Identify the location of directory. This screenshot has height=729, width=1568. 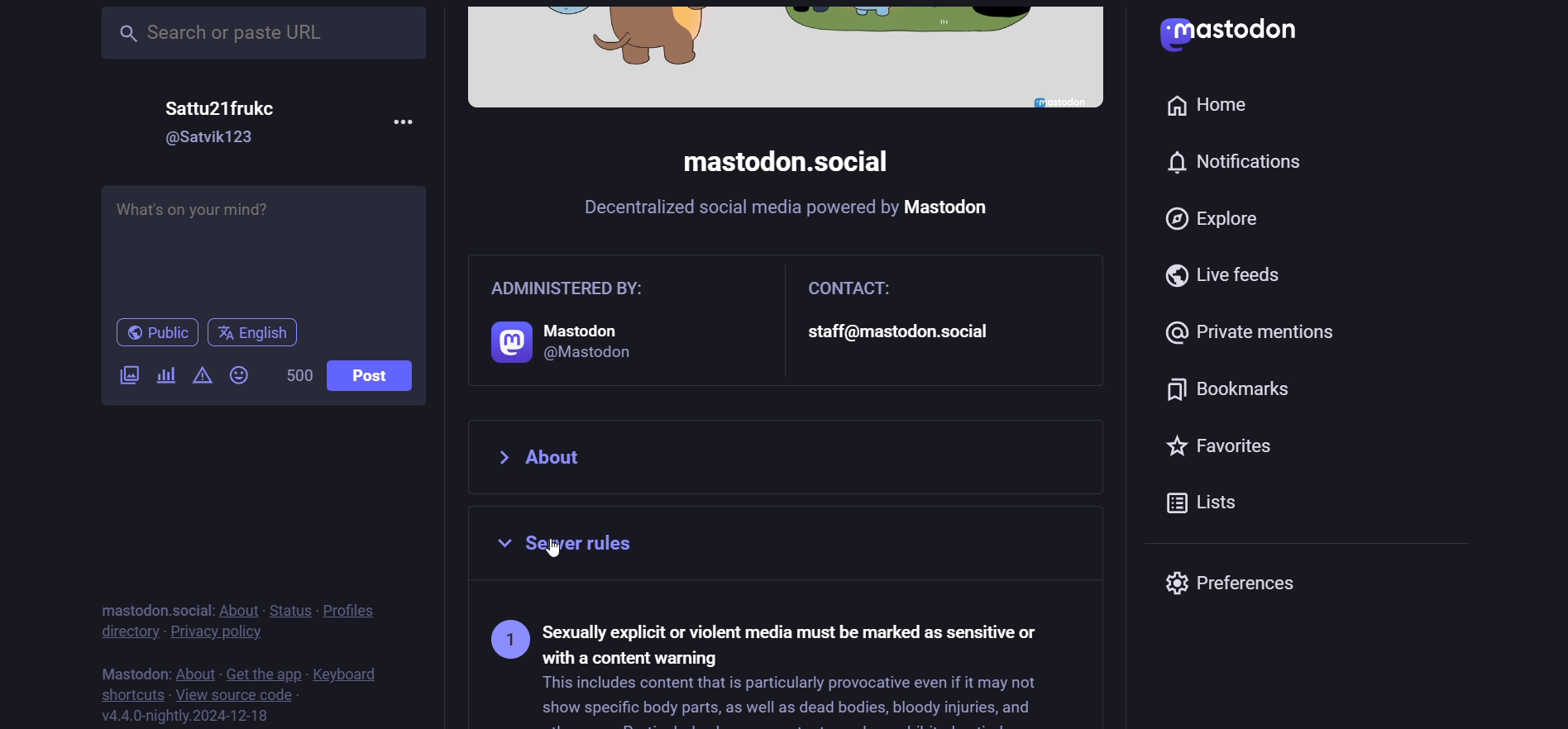
(126, 631).